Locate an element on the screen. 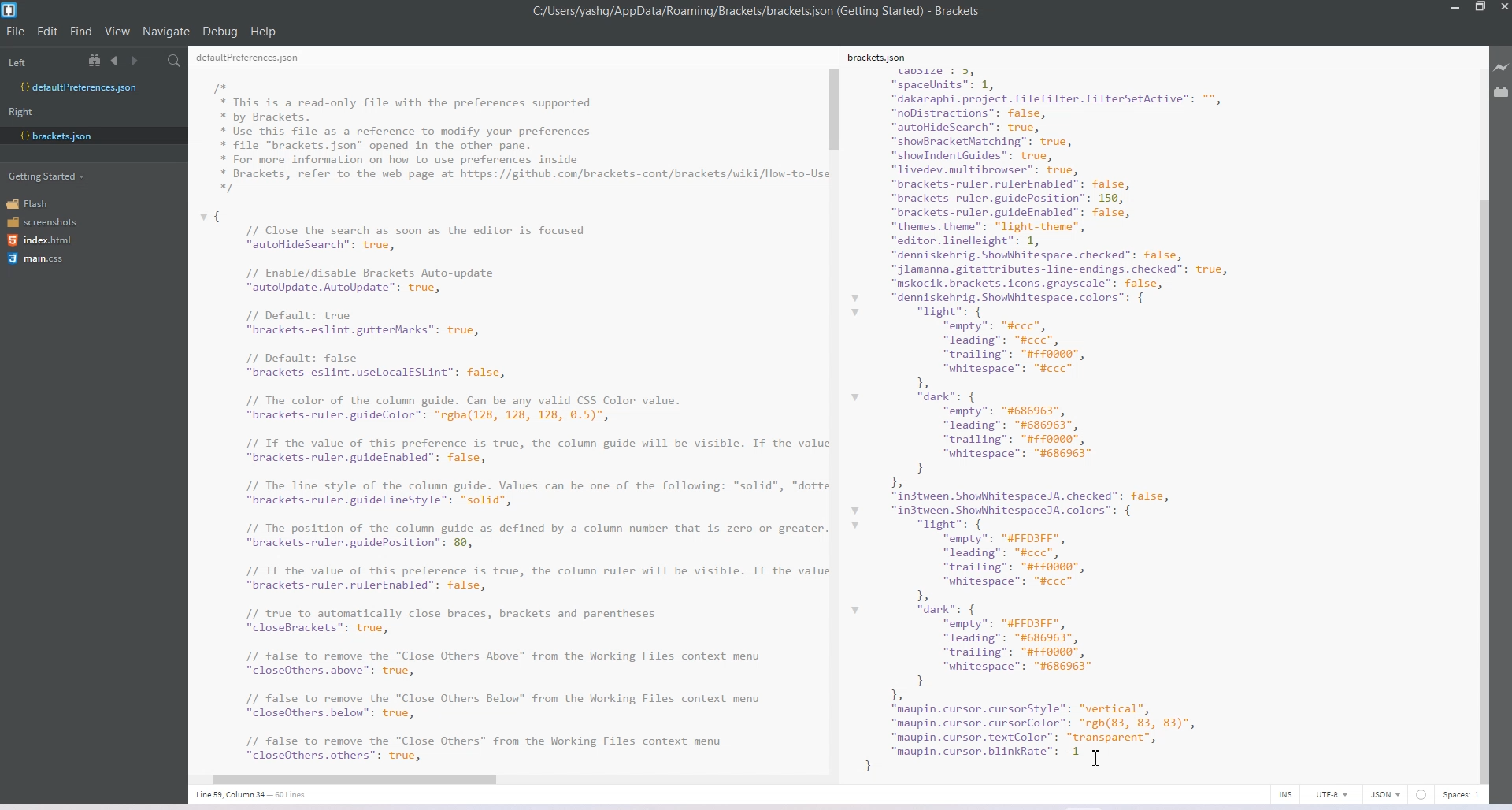 This screenshot has width=1512, height=810. screenshots is located at coordinates (43, 223).